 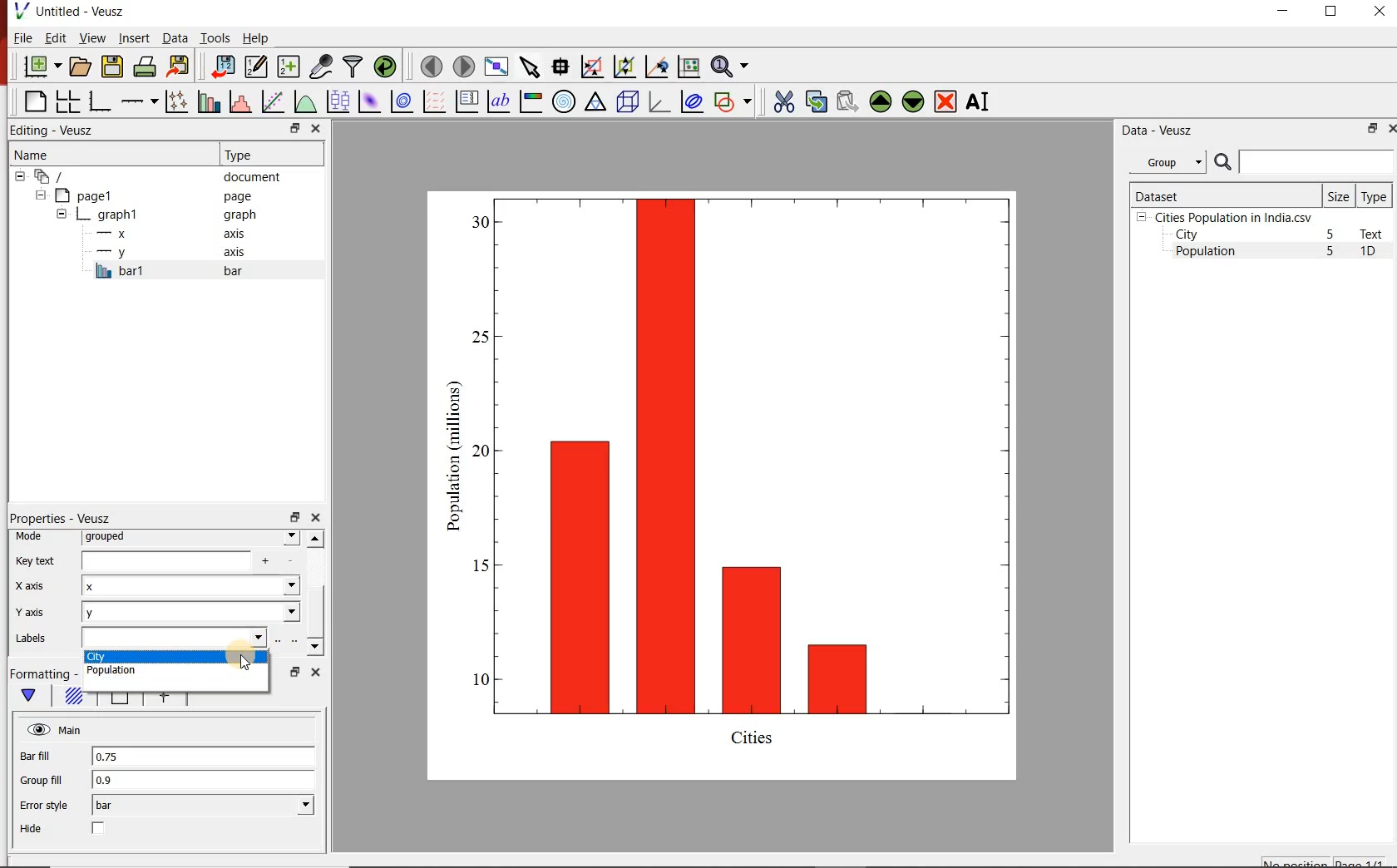 I want to click on bar, so click(x=203, y=806).